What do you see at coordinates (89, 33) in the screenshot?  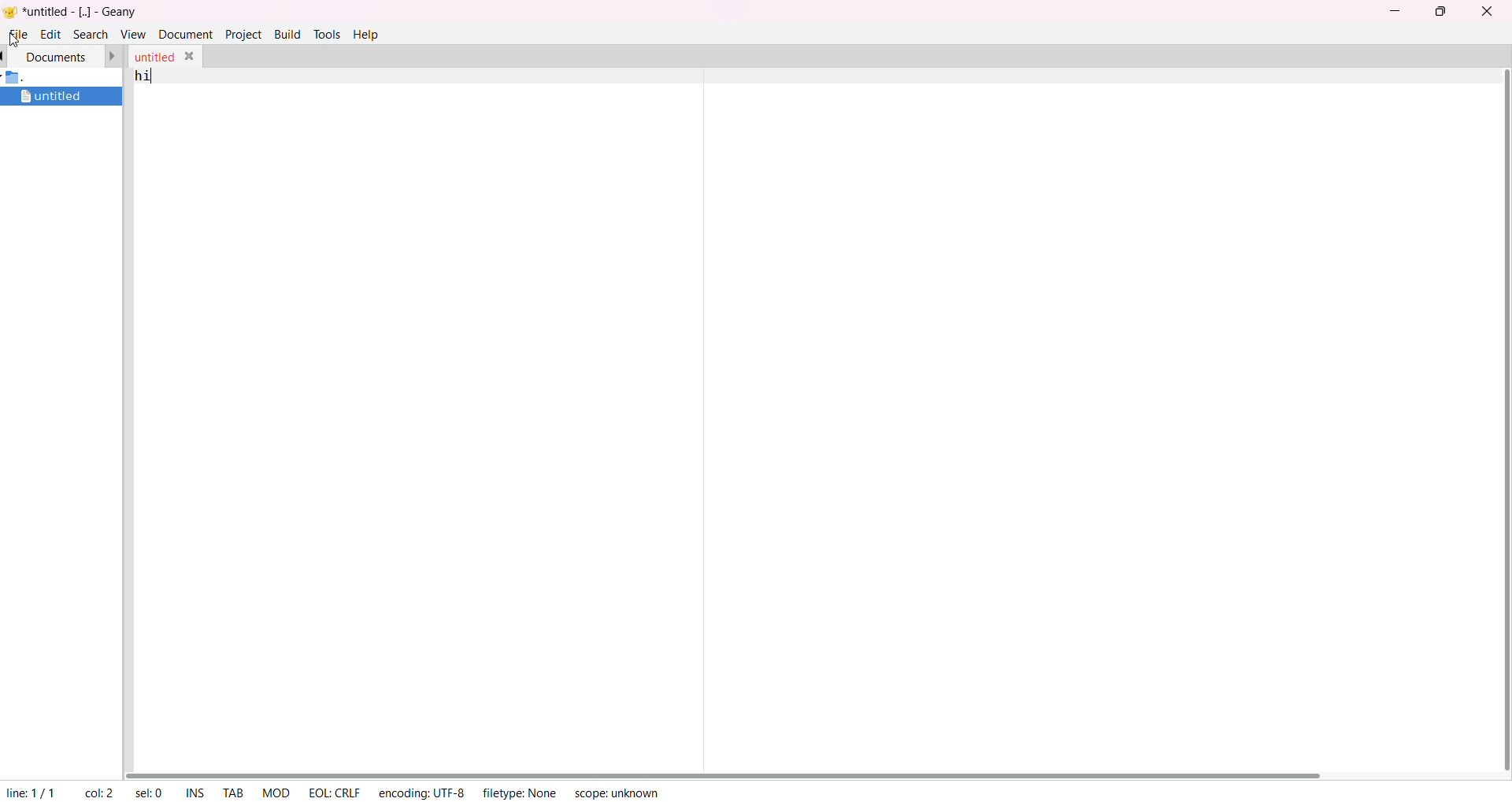 I see `search` at bounding box center [89, 33].